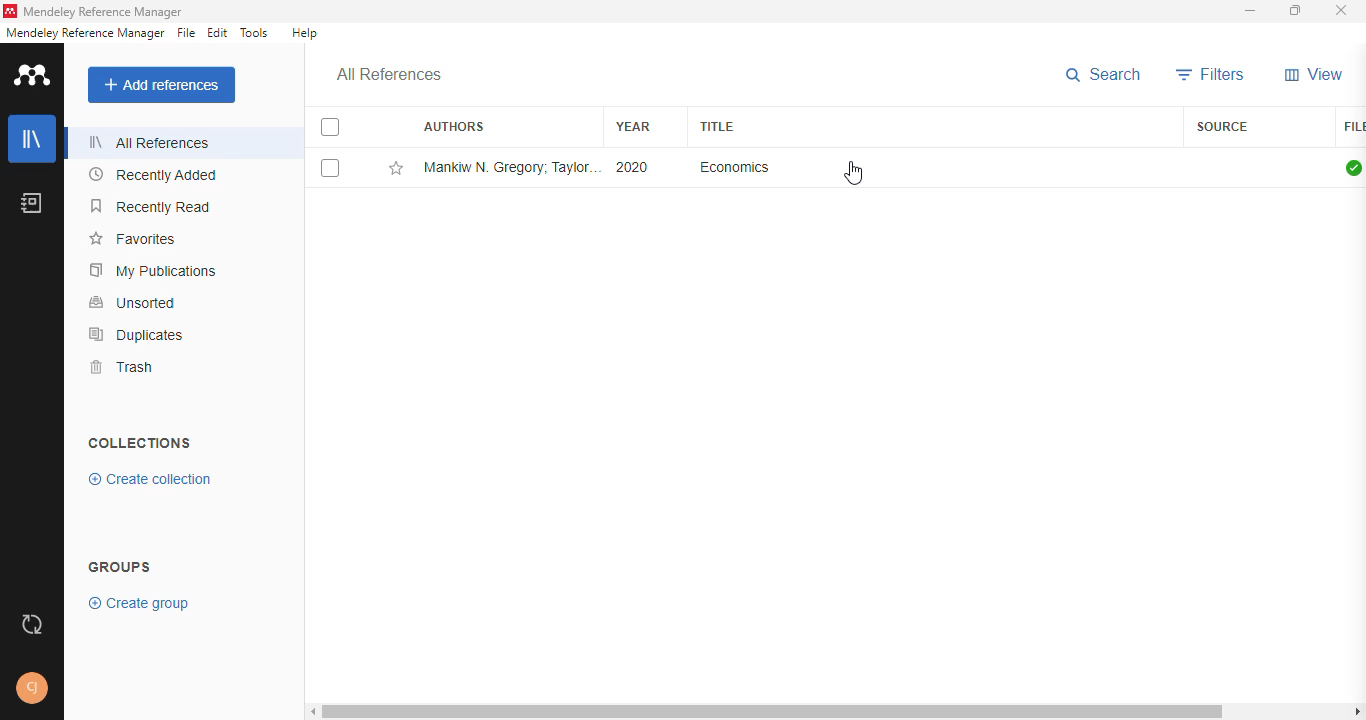  What do you see at coordinates (733, 166) in the screenshot?
I see `economics` at bounding box center [733, 166].